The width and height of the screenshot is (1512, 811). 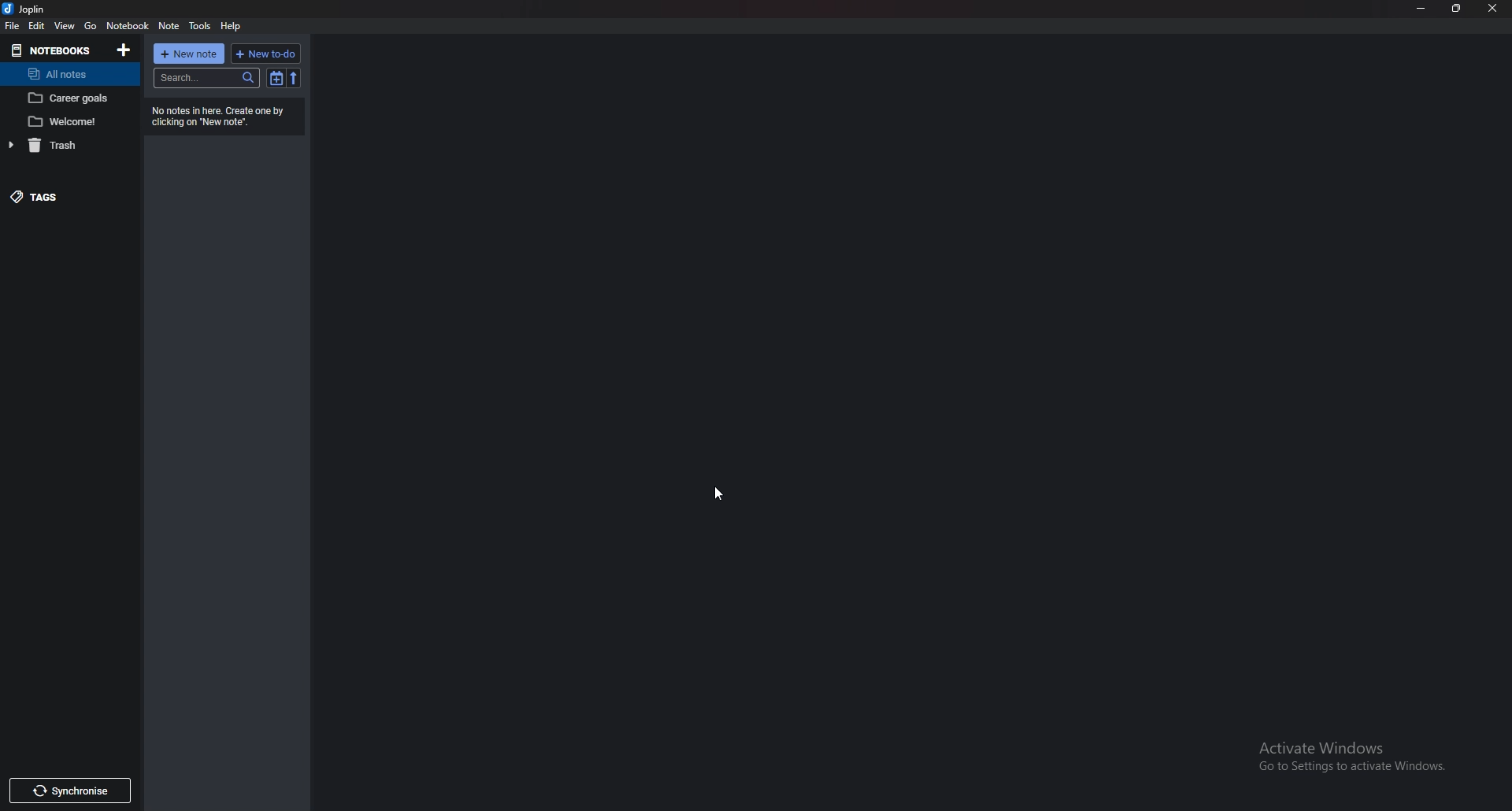 I want to click on reverse sort order, so click(x=295, y=77).